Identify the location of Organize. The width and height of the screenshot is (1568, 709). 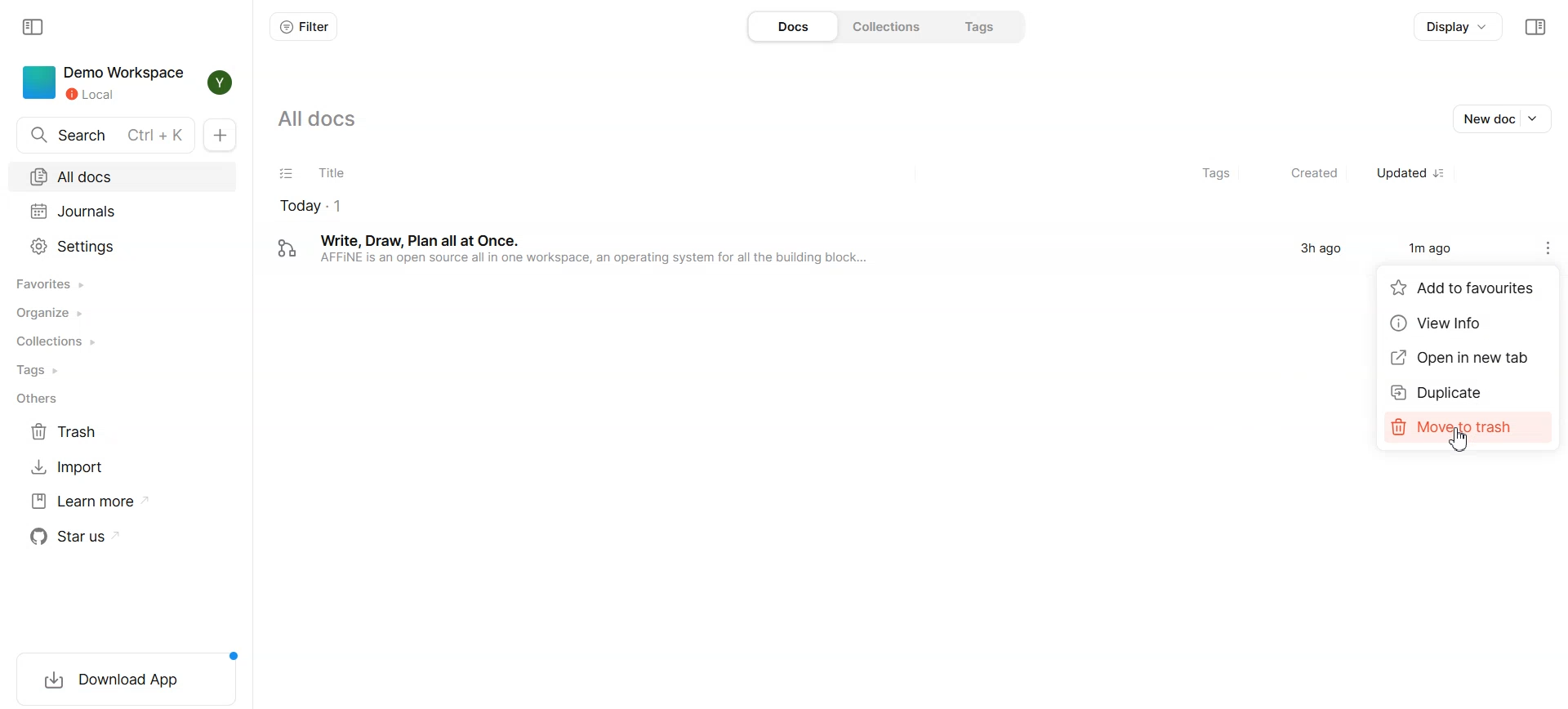
(121, 315).